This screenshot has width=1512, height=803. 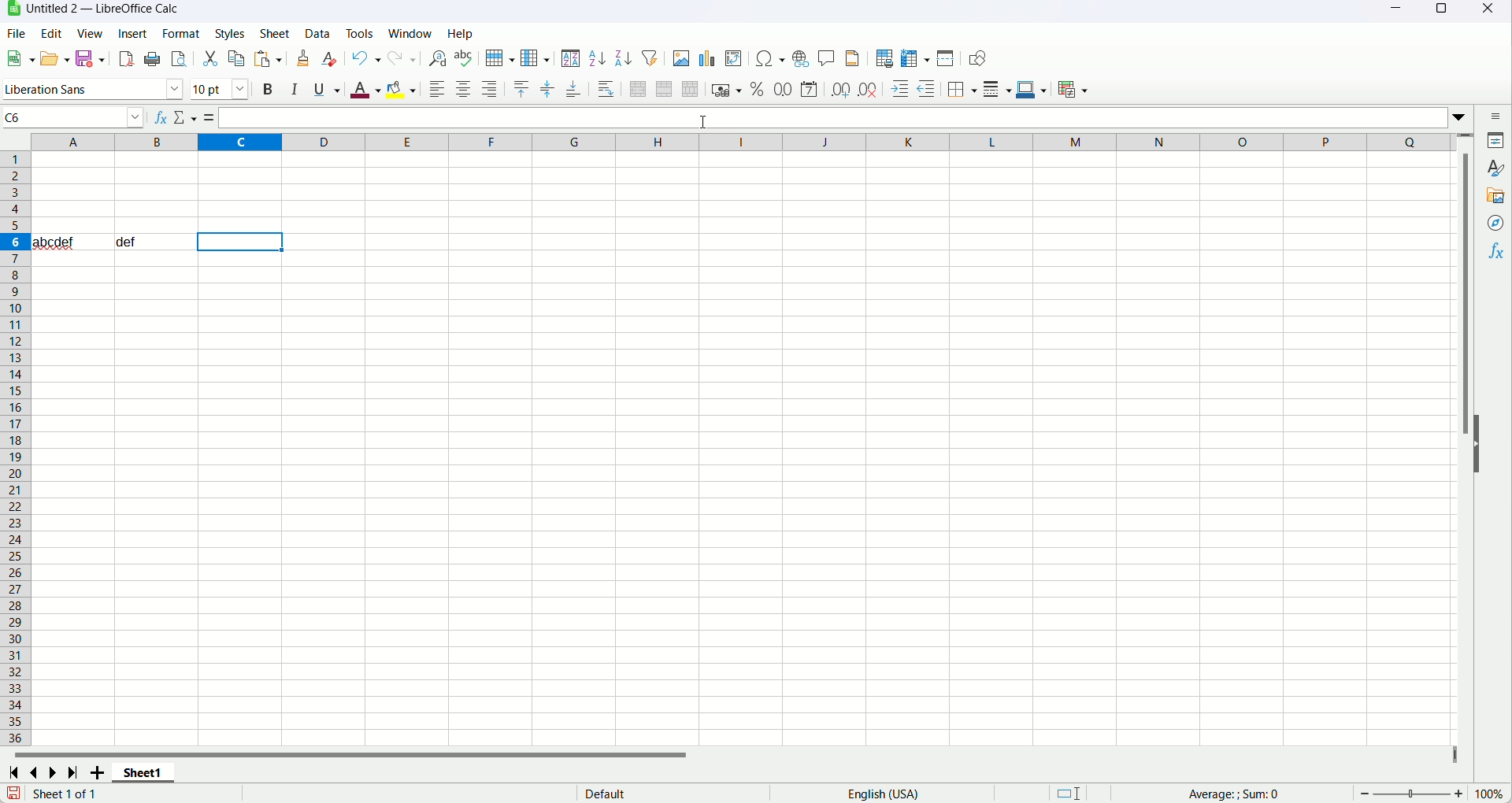 What do you see at coordinates (221, 88) in the screenshot?
I see `font size` at bounding box center [221, 88].